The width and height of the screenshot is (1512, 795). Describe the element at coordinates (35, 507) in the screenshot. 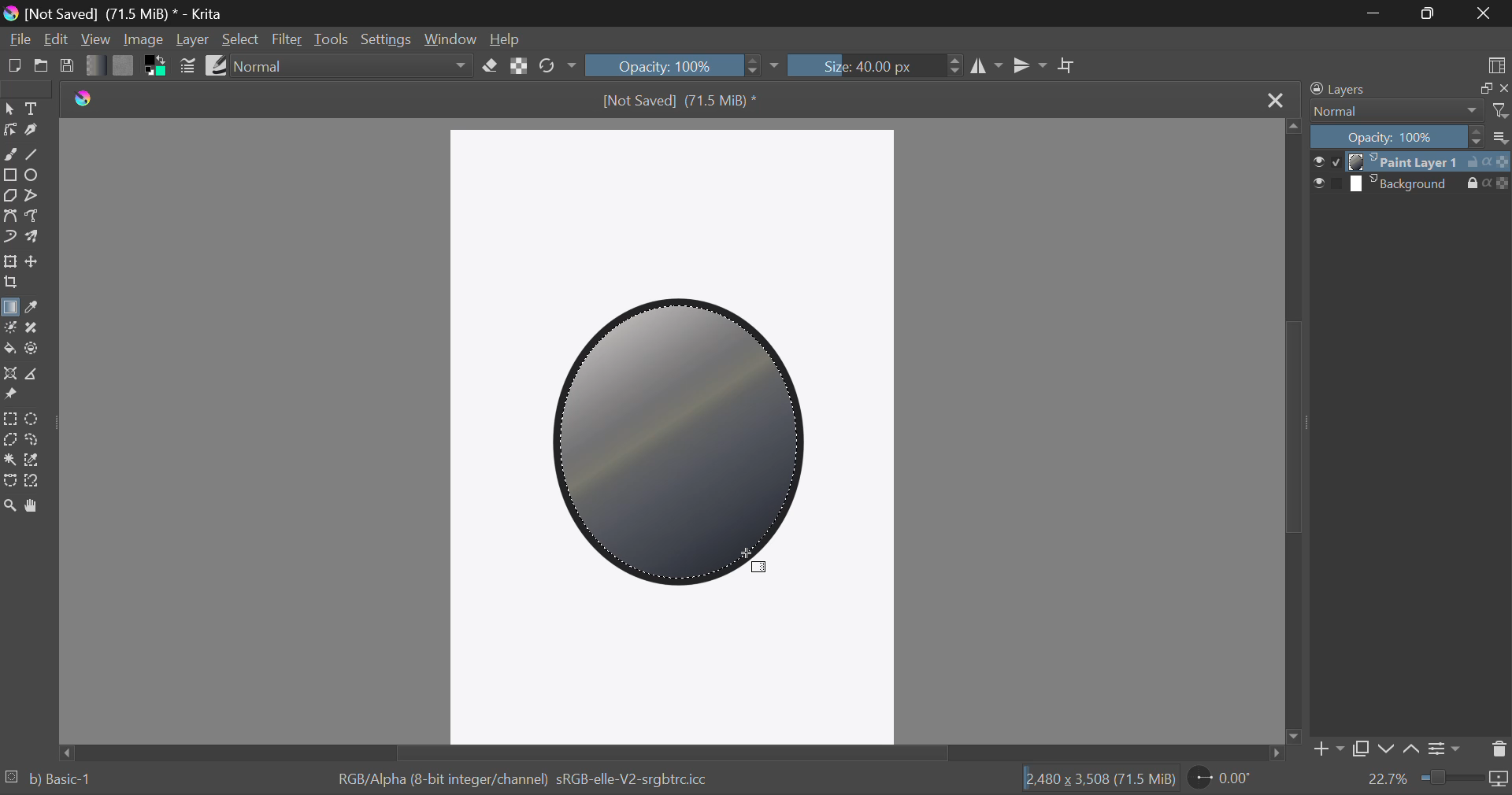

I see `Pan` at that location.